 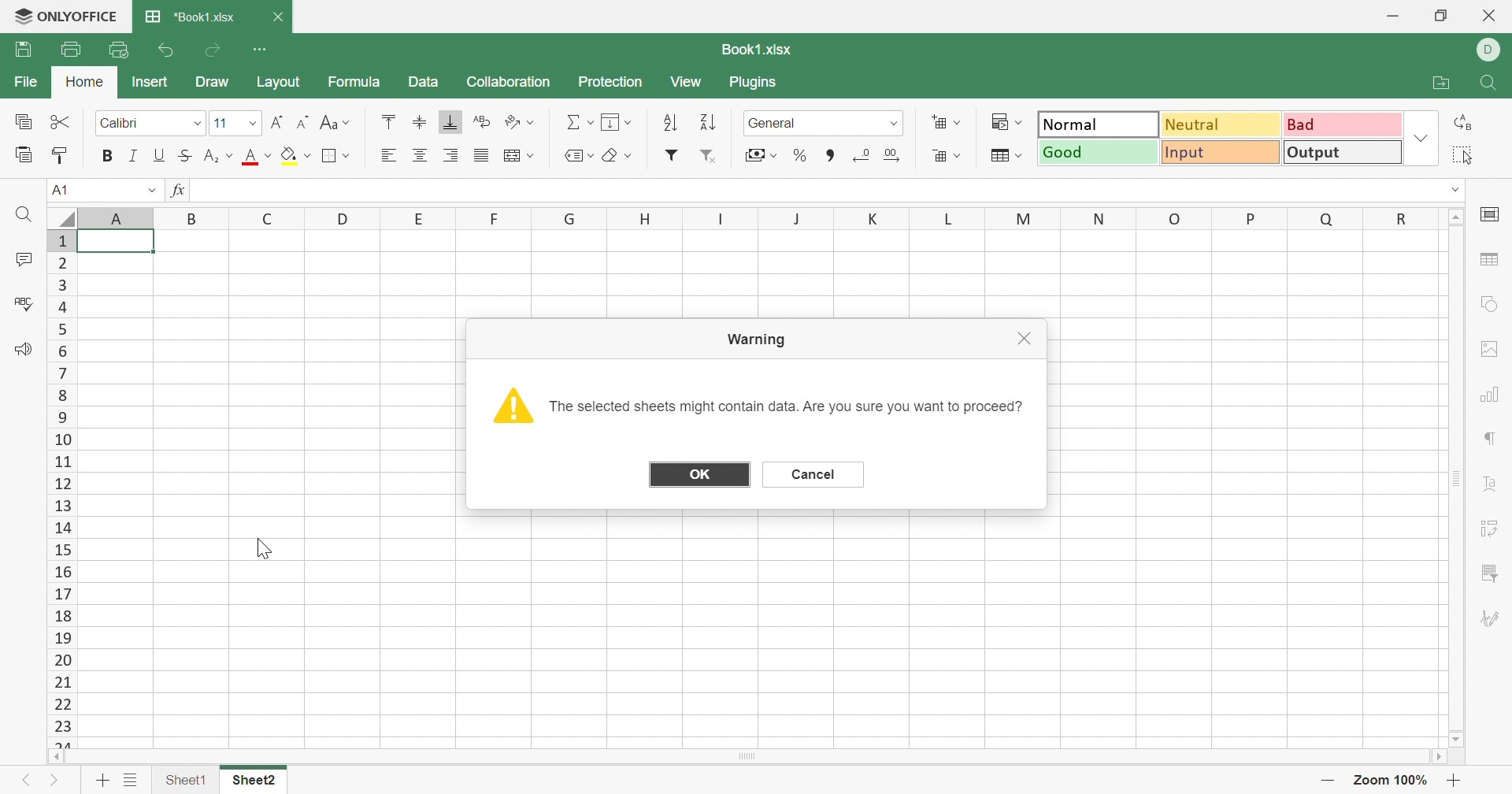 I want to click on Align Center, so click(x=421, y=156).